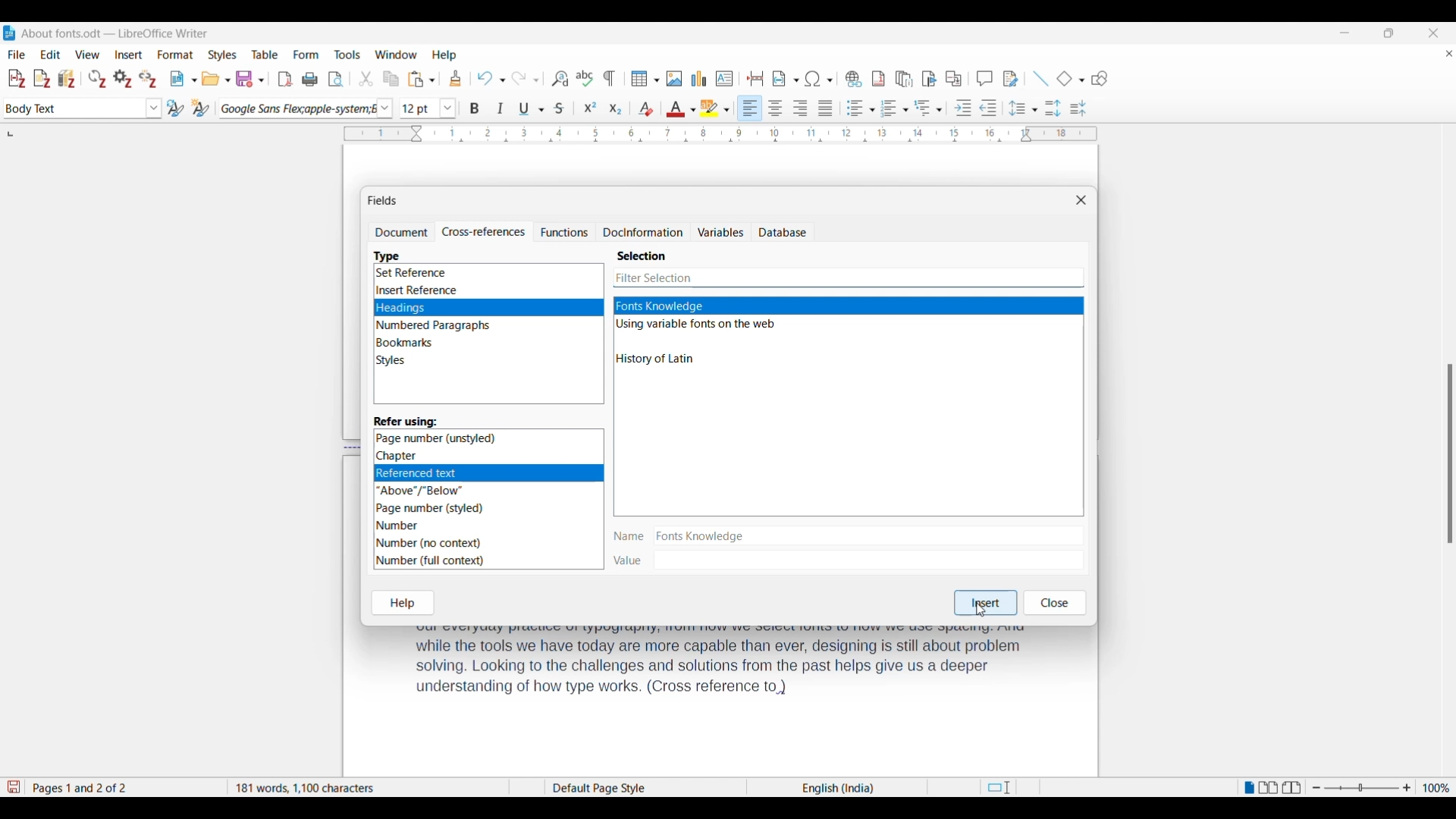  Describe the element at coordinates (825, 788) in the screenshot. I see `English(India)` at that location.